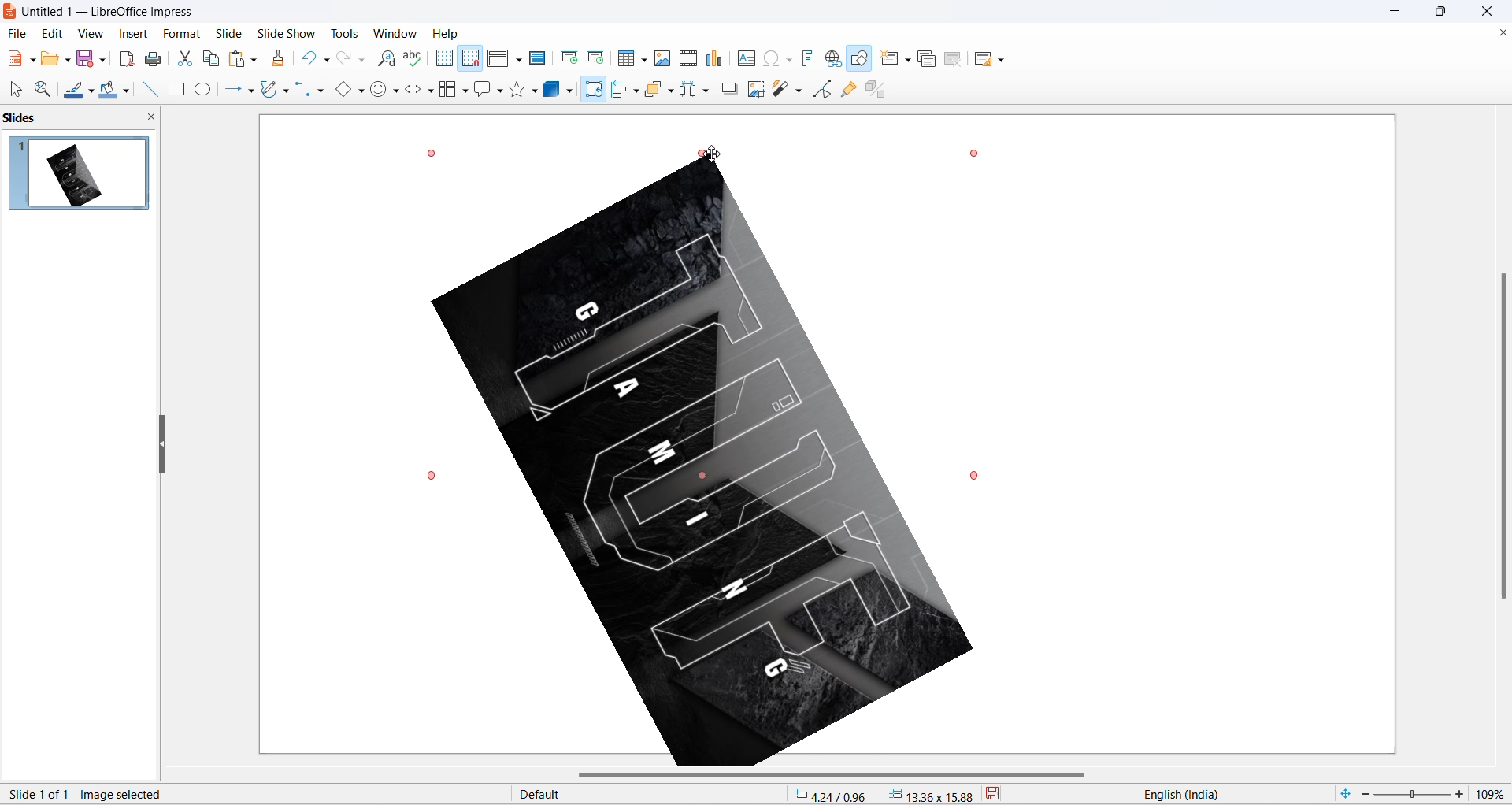 Image resolution: width=1512 pixels, height=805 pixels. Describe the element at coordinates (309, 57) in the screenshot. I see `undo` at that location.